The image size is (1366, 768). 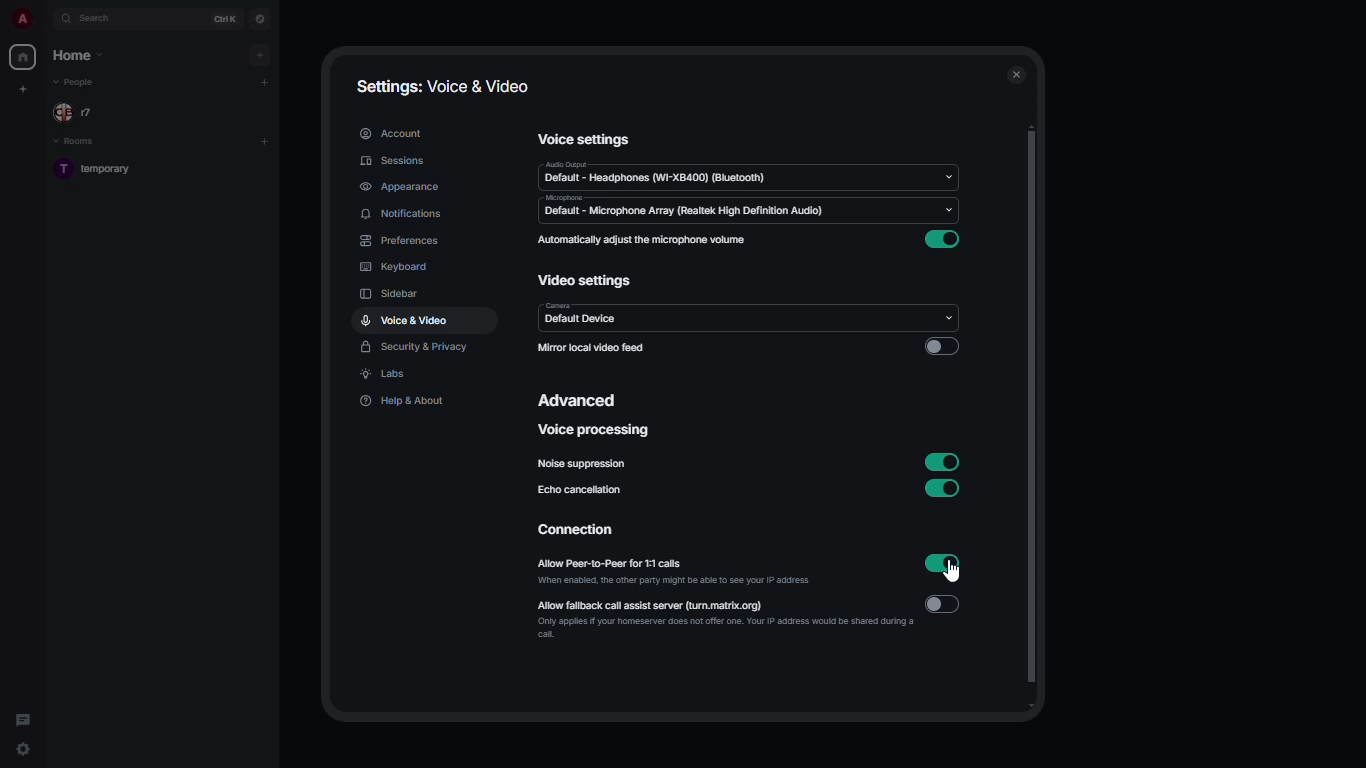 What do you see at coordinates (265, 142) in the screenshot?
I see `add` at bounding box center [265, 142].